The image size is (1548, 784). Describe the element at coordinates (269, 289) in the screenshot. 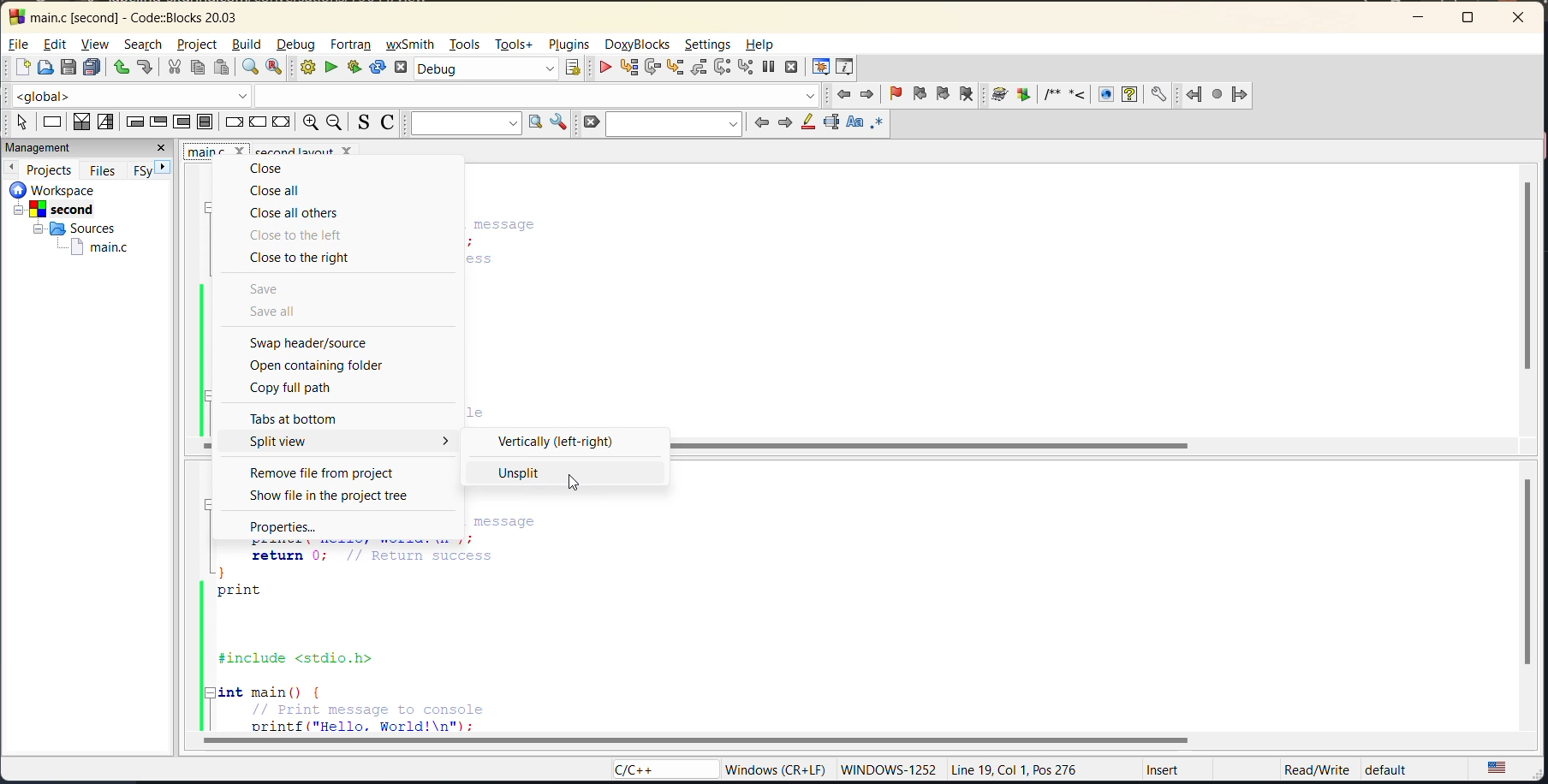

I see `save` at that location.